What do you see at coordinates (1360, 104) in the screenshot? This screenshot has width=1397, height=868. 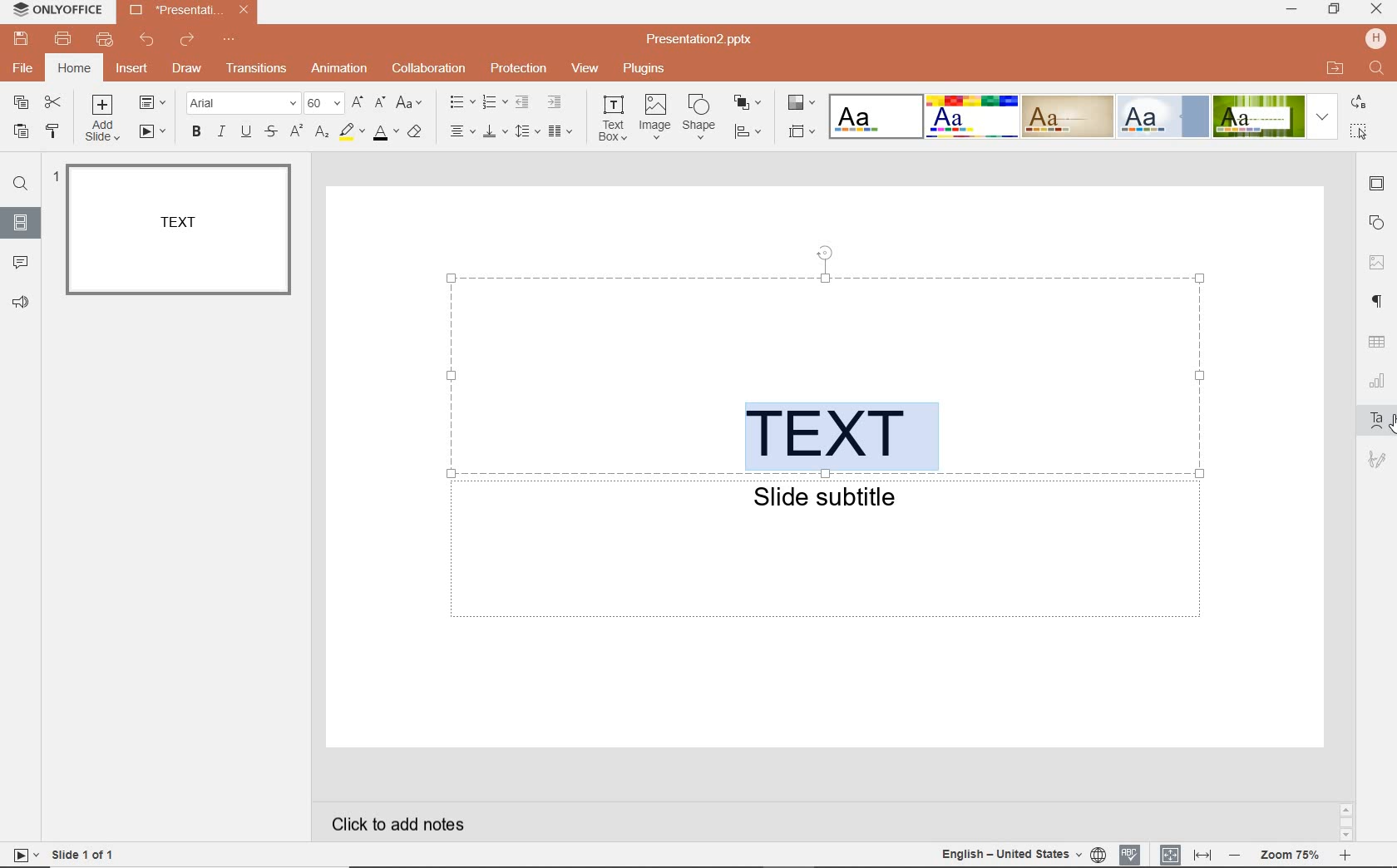 I see `replace` at bounding box center [1360, 104].